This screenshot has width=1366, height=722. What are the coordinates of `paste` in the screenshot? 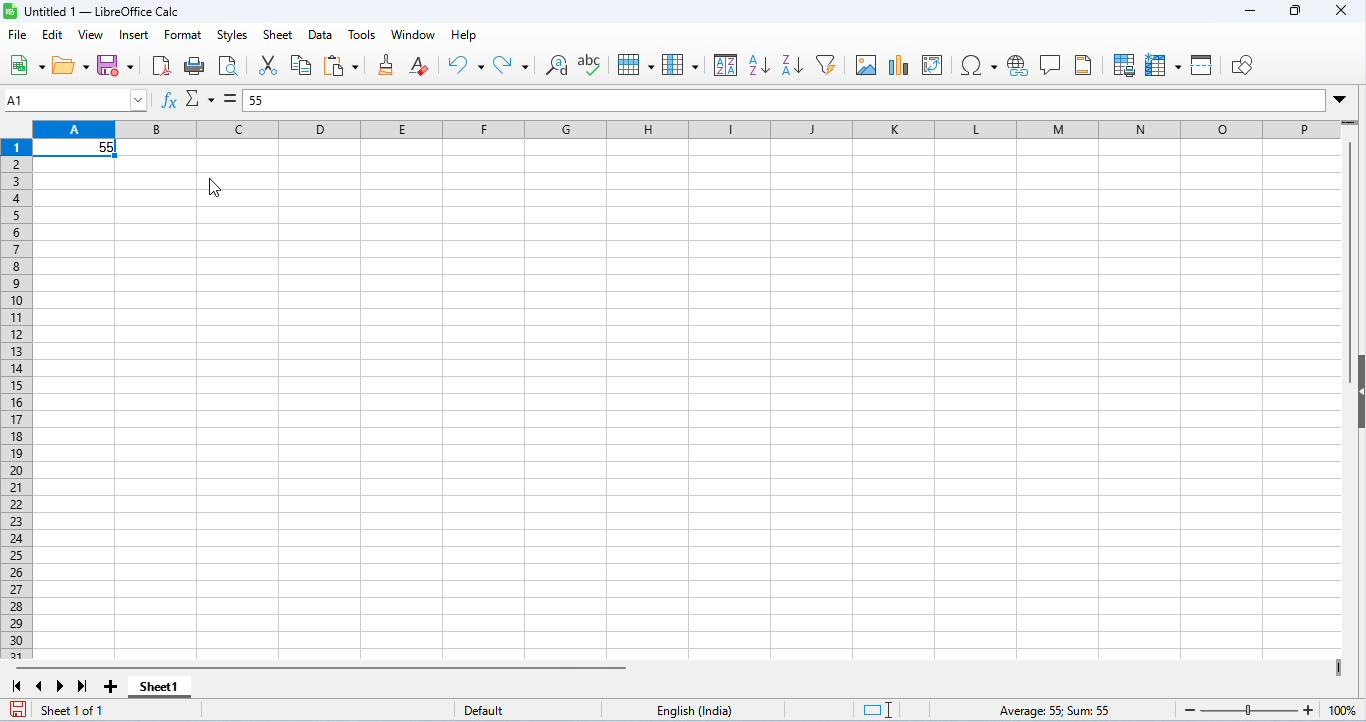 It's located at (341, 66).